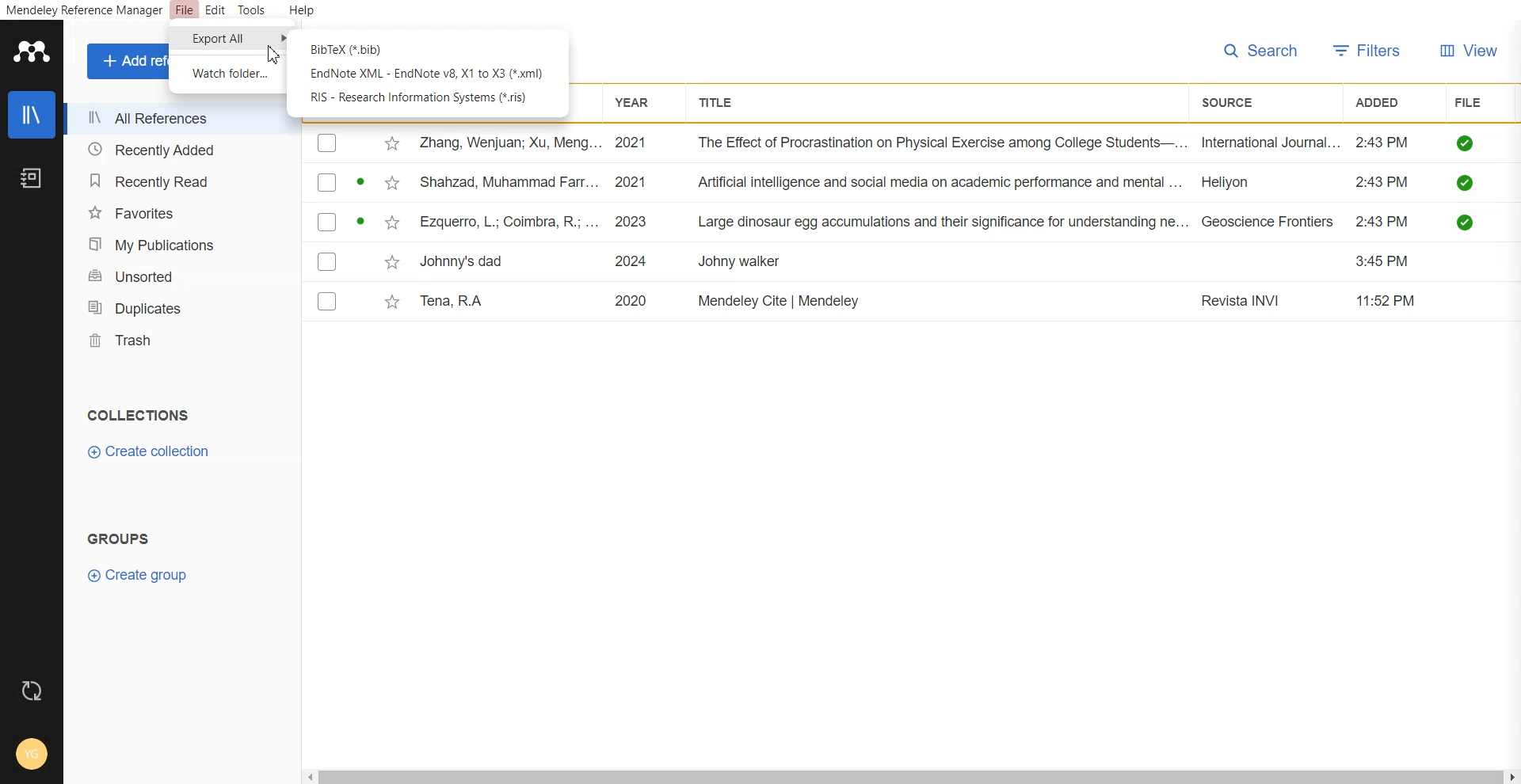 Image resolution: width=1521 pixels, height=784 pixels. I want to click on star, so click(390, 262).